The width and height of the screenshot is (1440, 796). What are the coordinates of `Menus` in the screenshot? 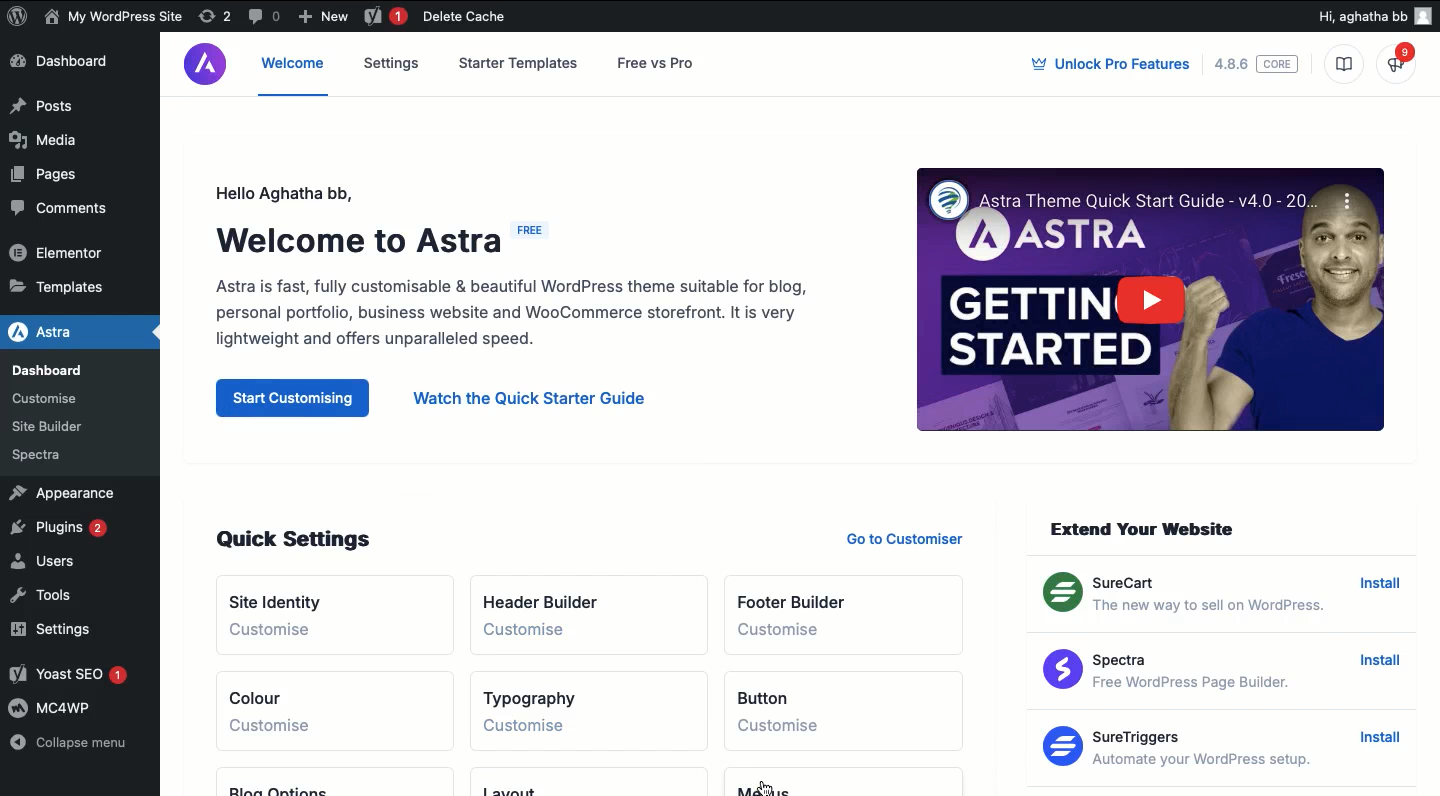 It's located at (781, 783).